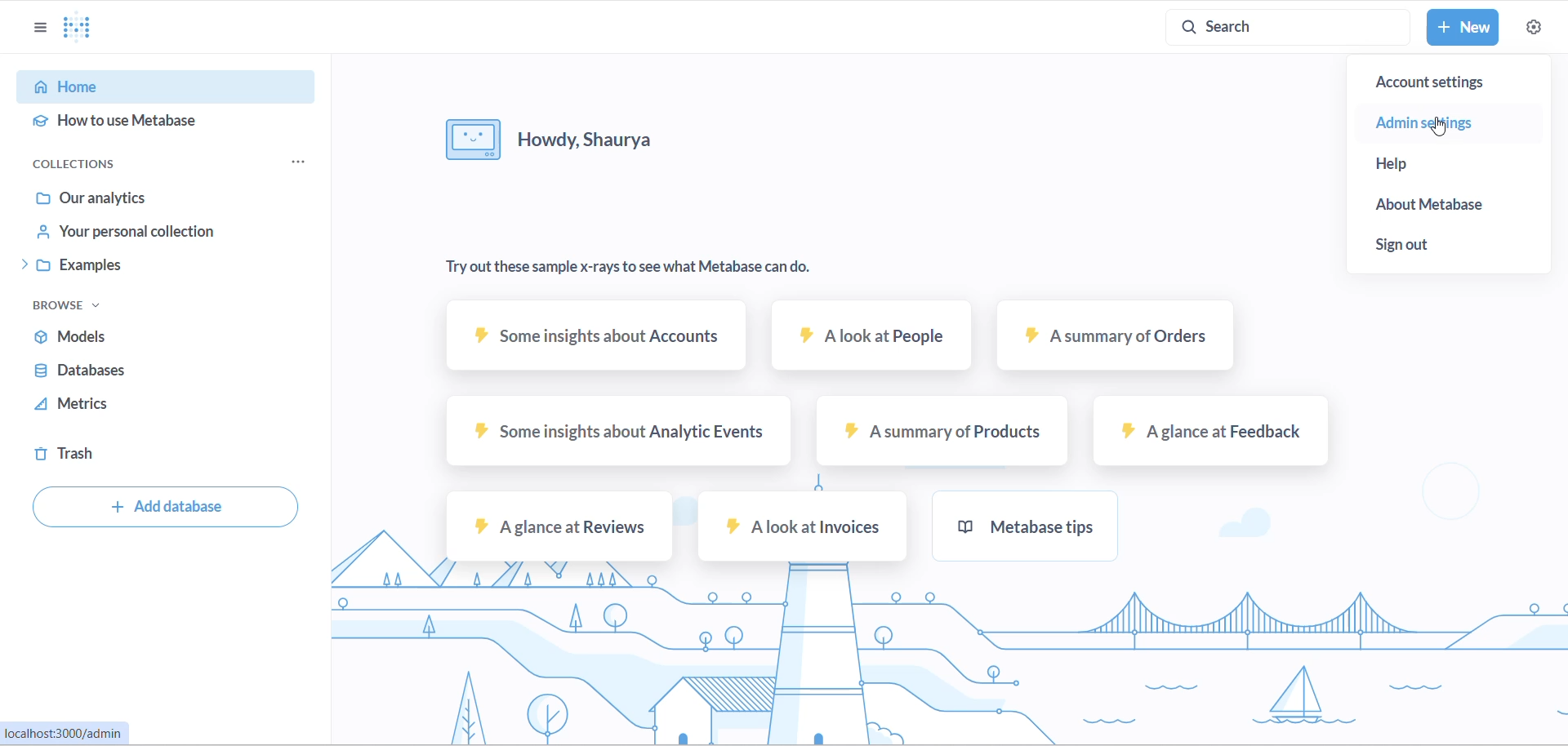 The width and height of the screenshot is (1568, 746). I want to click on A look at People Sample, so click(874, 335).